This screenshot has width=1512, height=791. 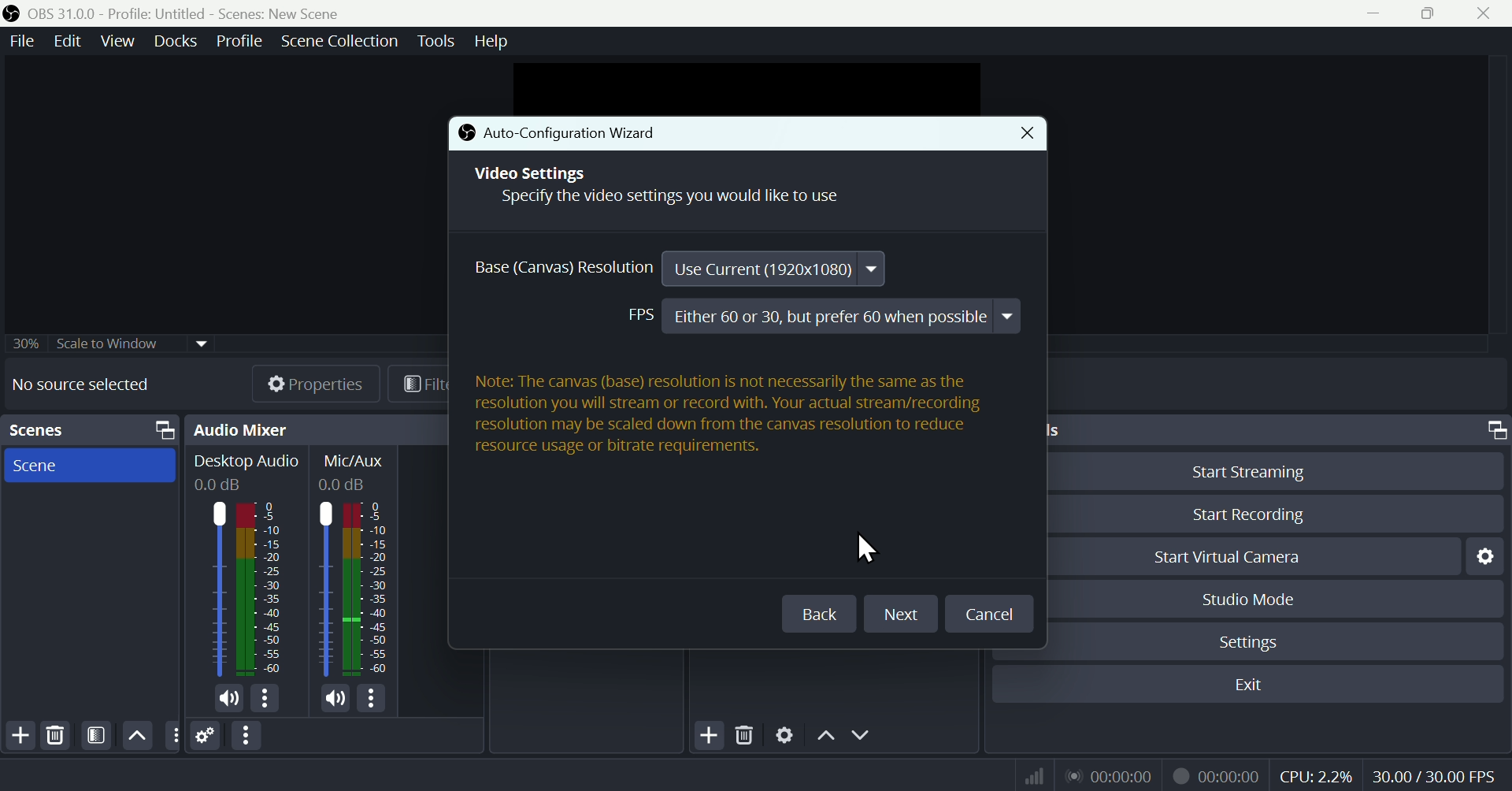 What do you see at coordinates (1432, 13) in the screenshot?
I see `Maximise` at bounding box center [1432, 13].